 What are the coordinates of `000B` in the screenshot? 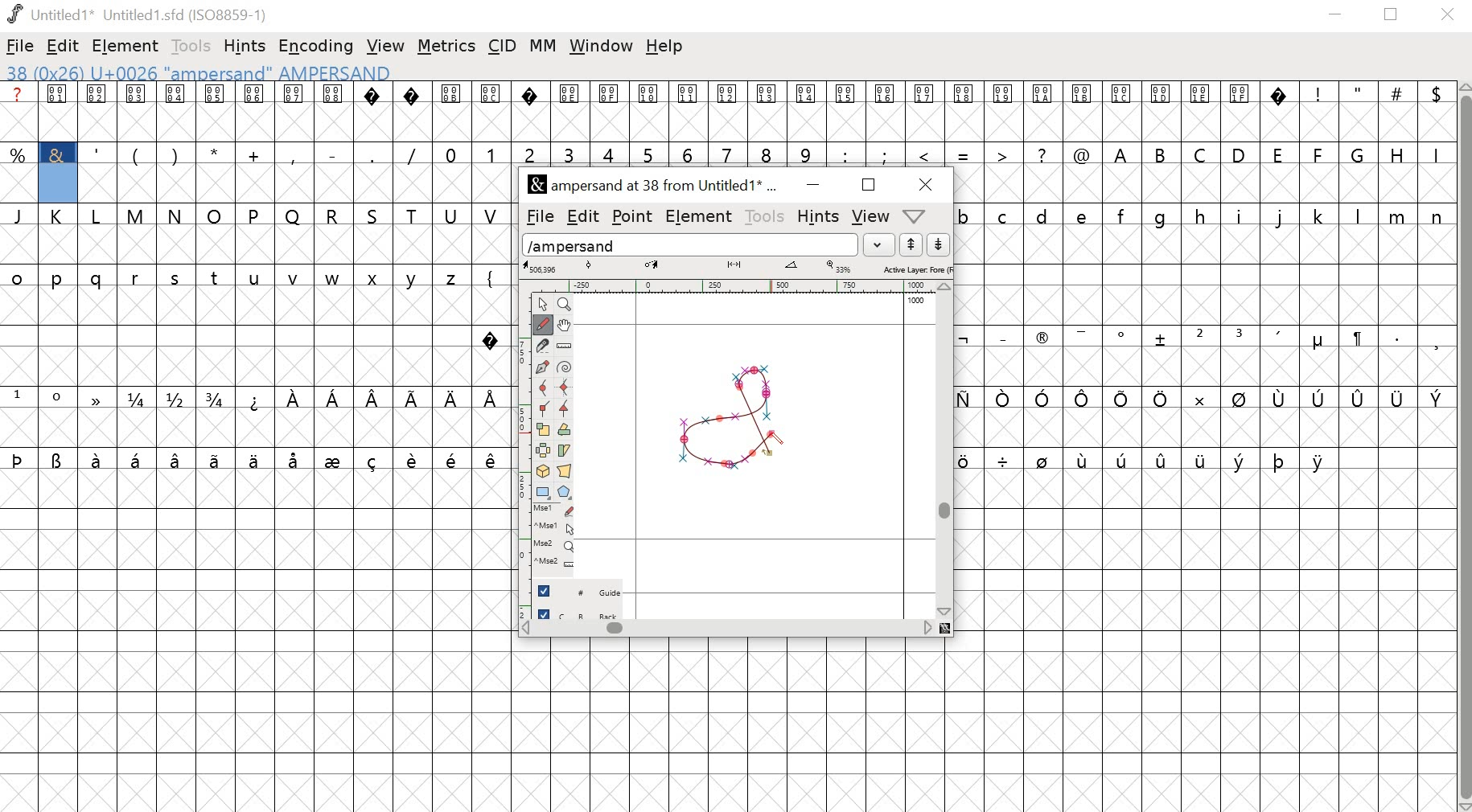 It's located at (450, 111).